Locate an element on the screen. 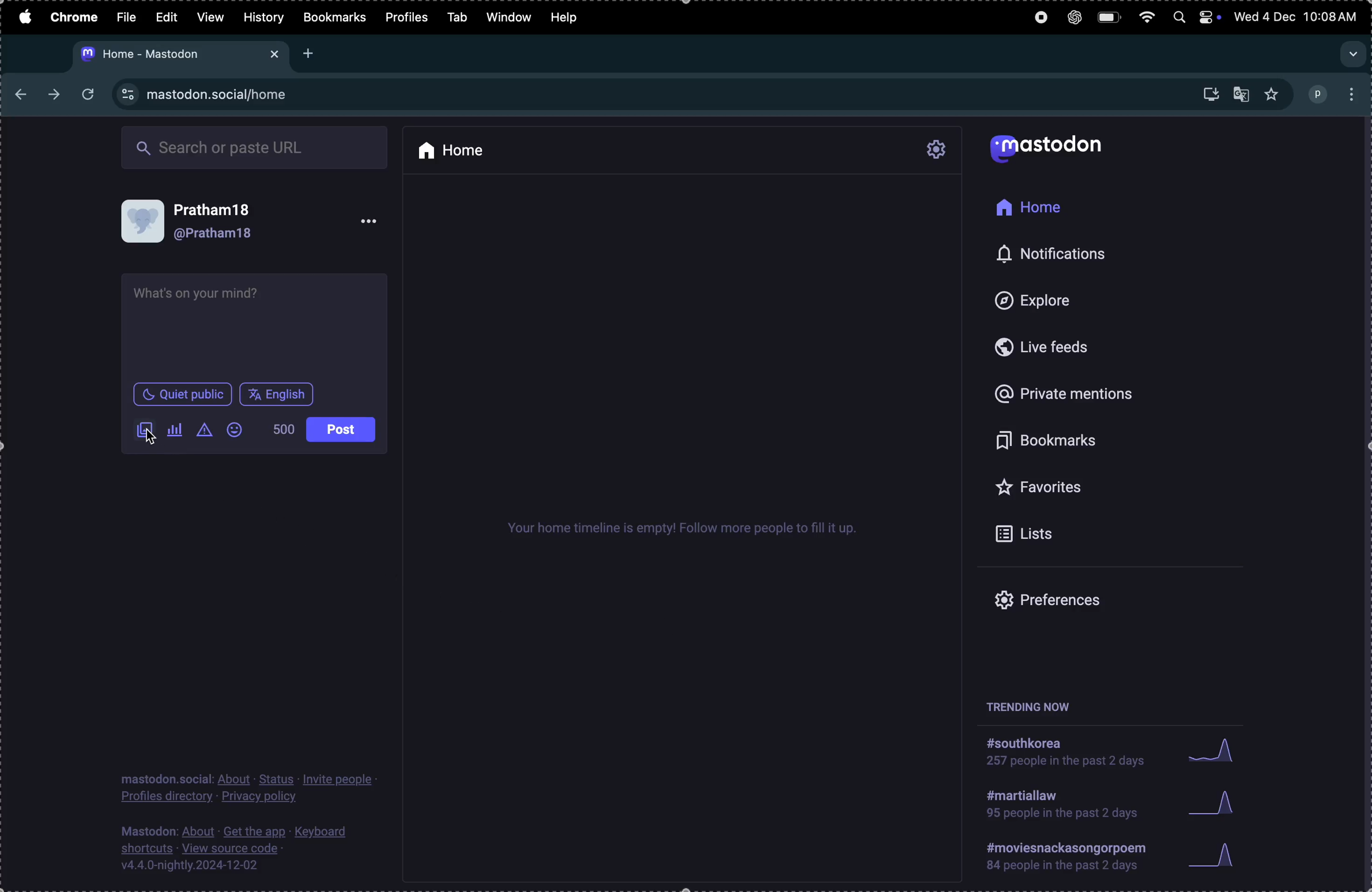  profiles is located at coordinates (406, 18).